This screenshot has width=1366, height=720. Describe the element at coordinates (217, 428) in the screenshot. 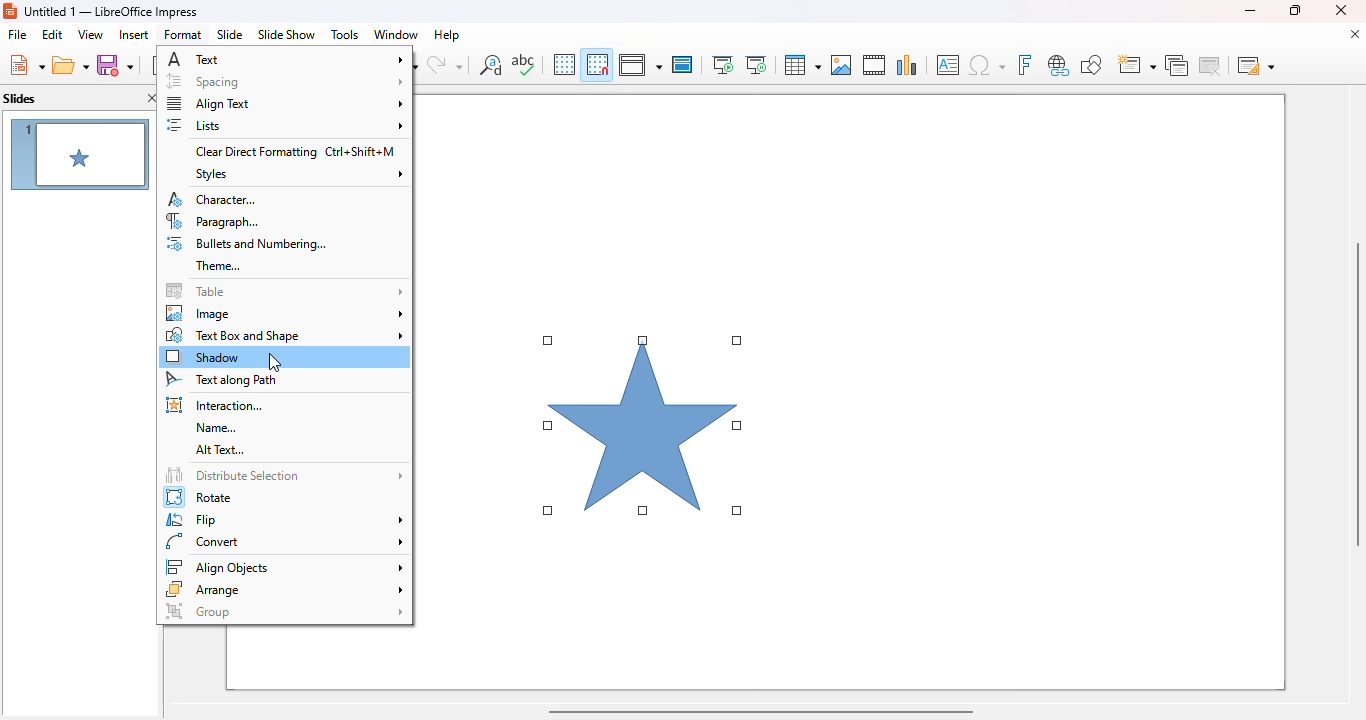

I see `name` at that location.